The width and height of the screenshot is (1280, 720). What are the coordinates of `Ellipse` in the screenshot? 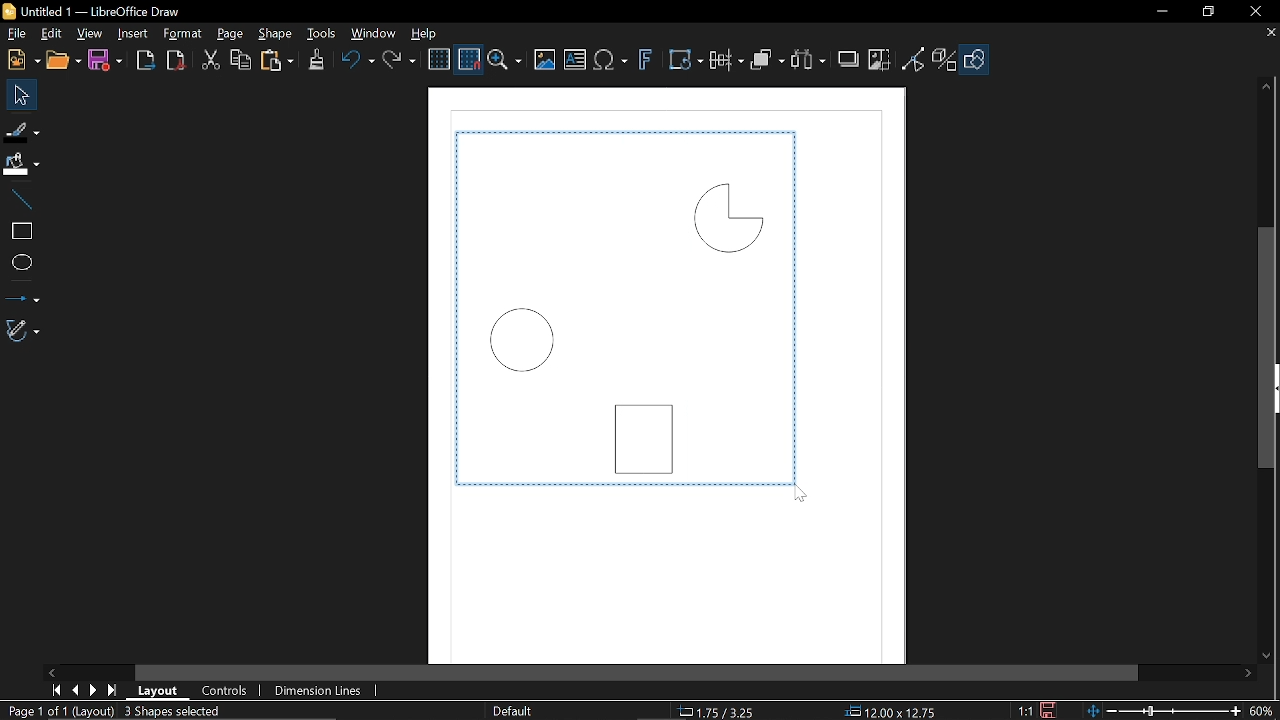 It's located at (20, 263).